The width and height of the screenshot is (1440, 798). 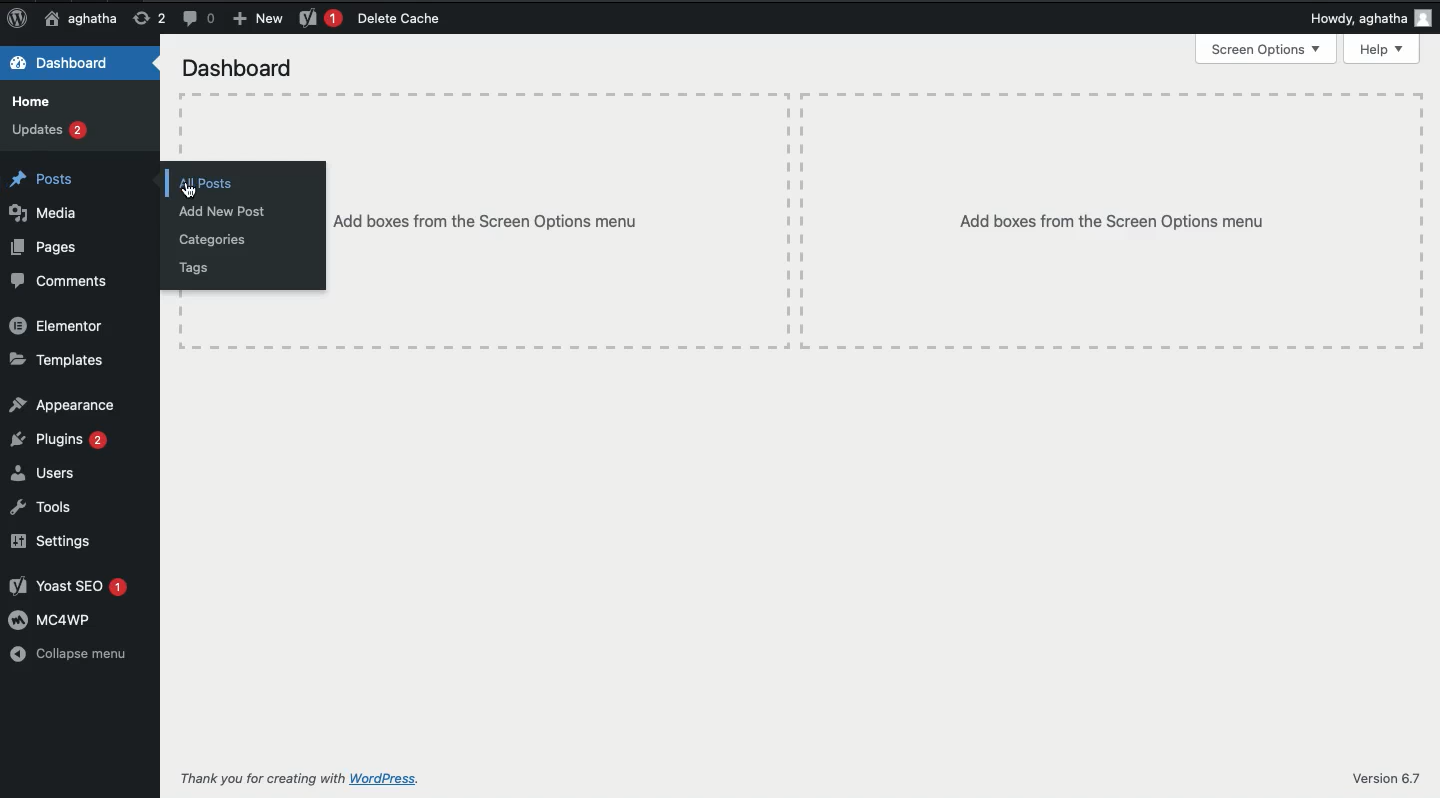 I want to click on Dashboard, so click(x=59, y=61).